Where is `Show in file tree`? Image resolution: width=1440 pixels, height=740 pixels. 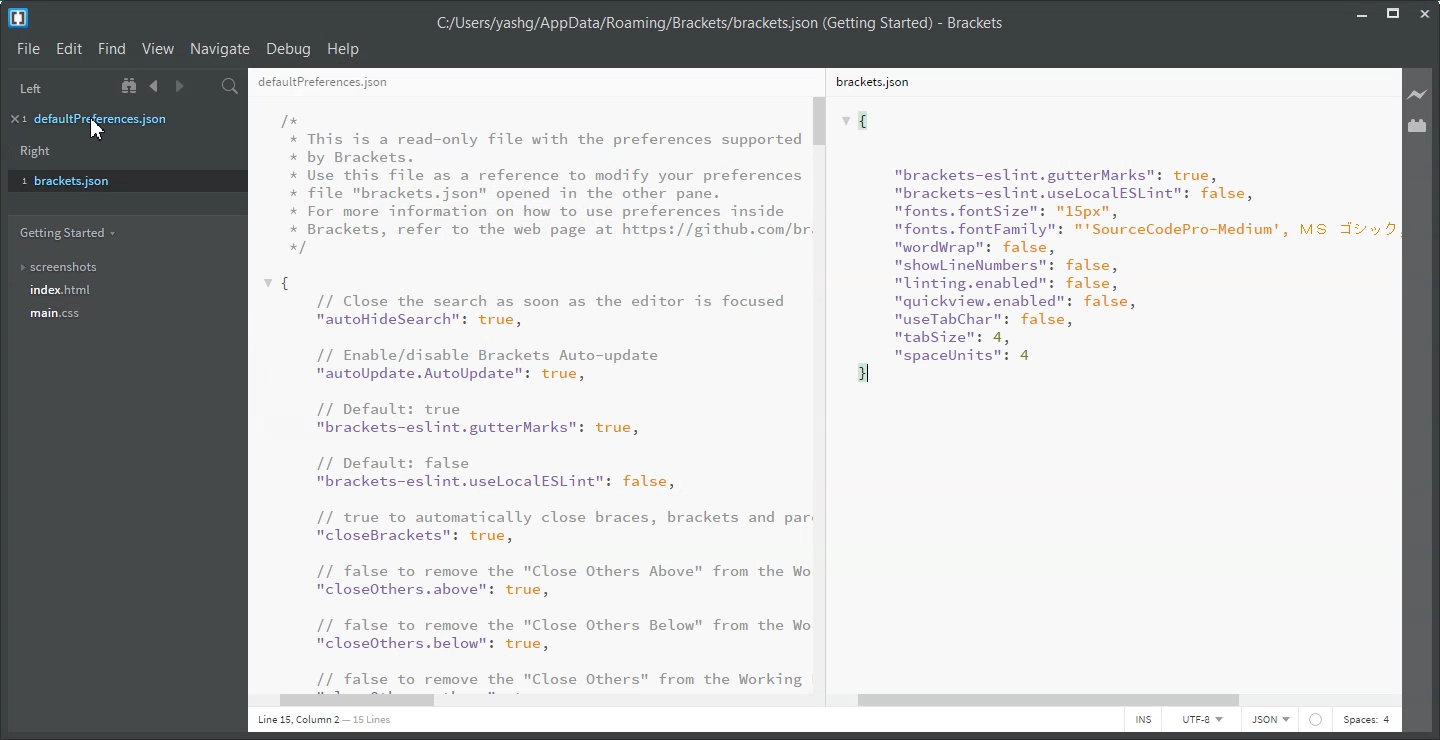 Show in file tree is located at coordinates (131, 86).